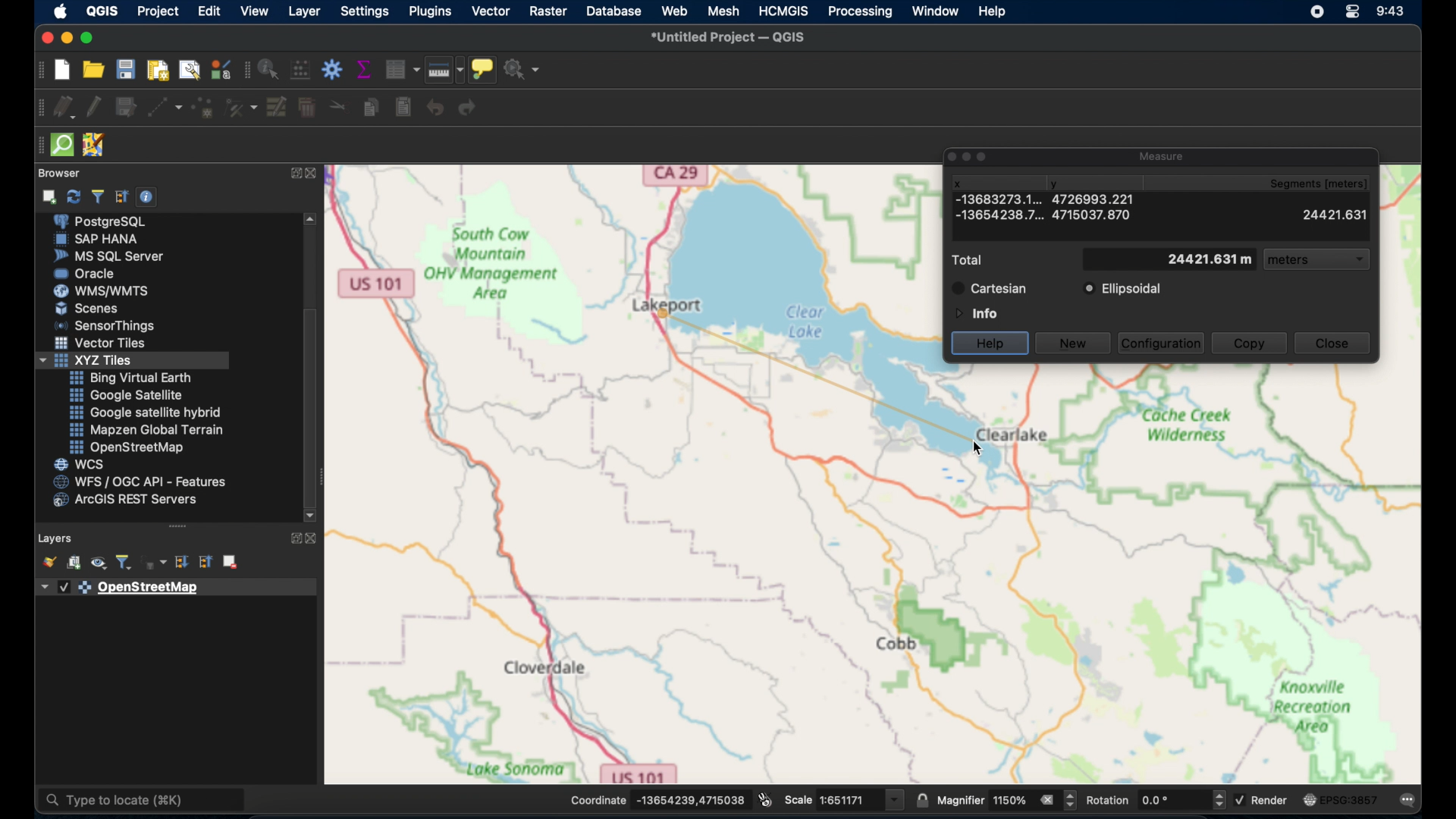 The width and height of the screenshot is (1456, 819). I want to click on oracle, so click(88, 273).